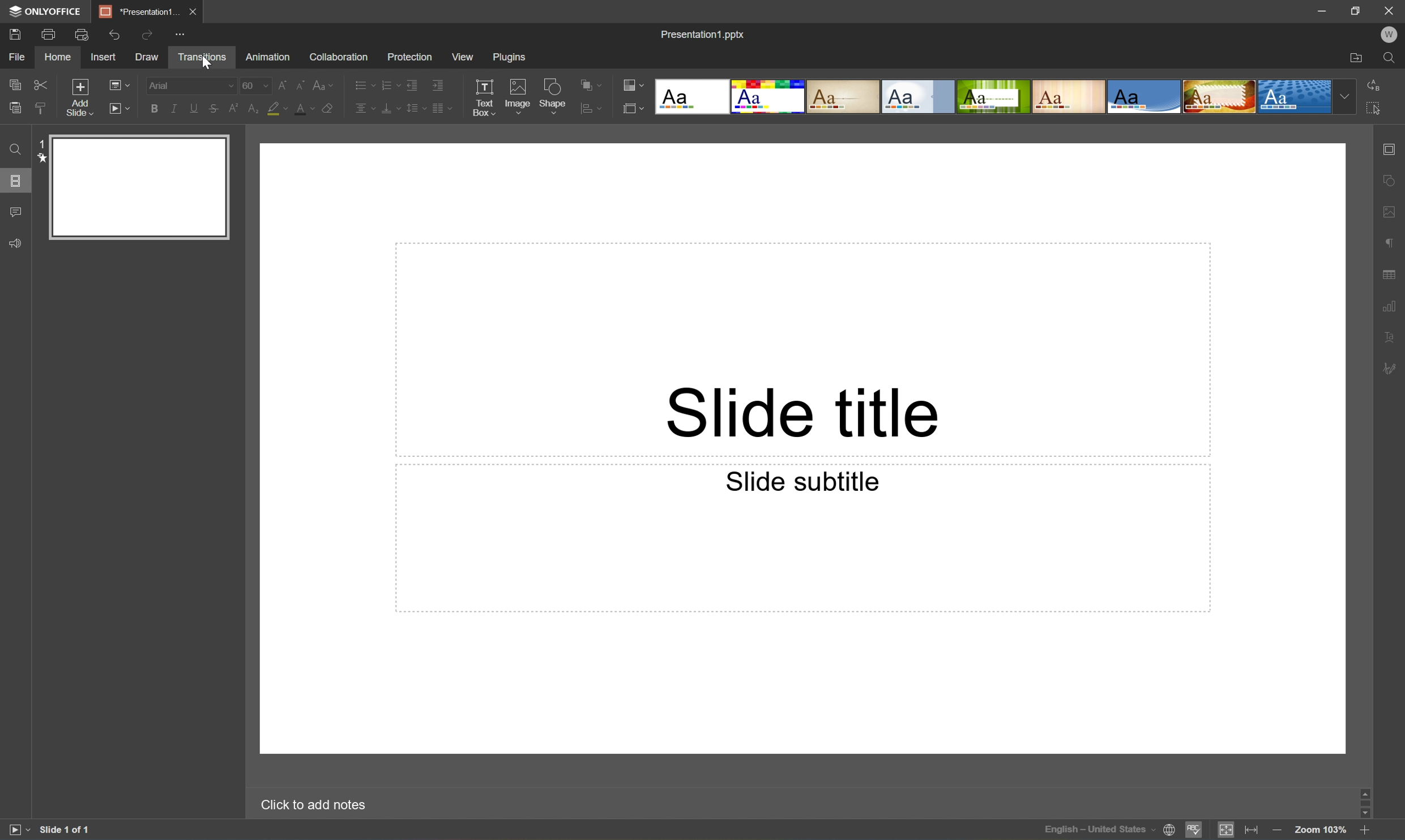 This screenshot has width=1405, height=840. What do you see at coordinates (114, 34) in the screenshot?
I see `Undo` at bounding box center [114, 34].